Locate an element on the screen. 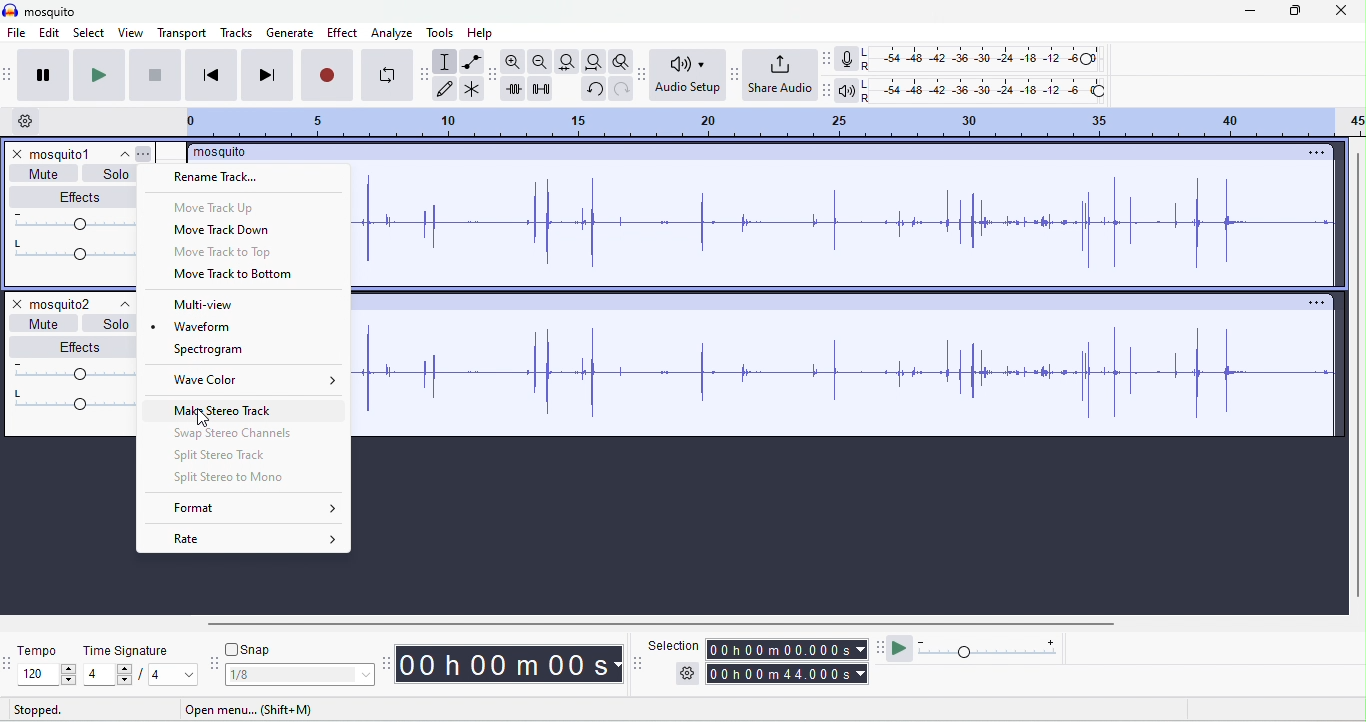 The width and height of the screenshot is (1366, 722). share audio is located at coordinates (779, 73).